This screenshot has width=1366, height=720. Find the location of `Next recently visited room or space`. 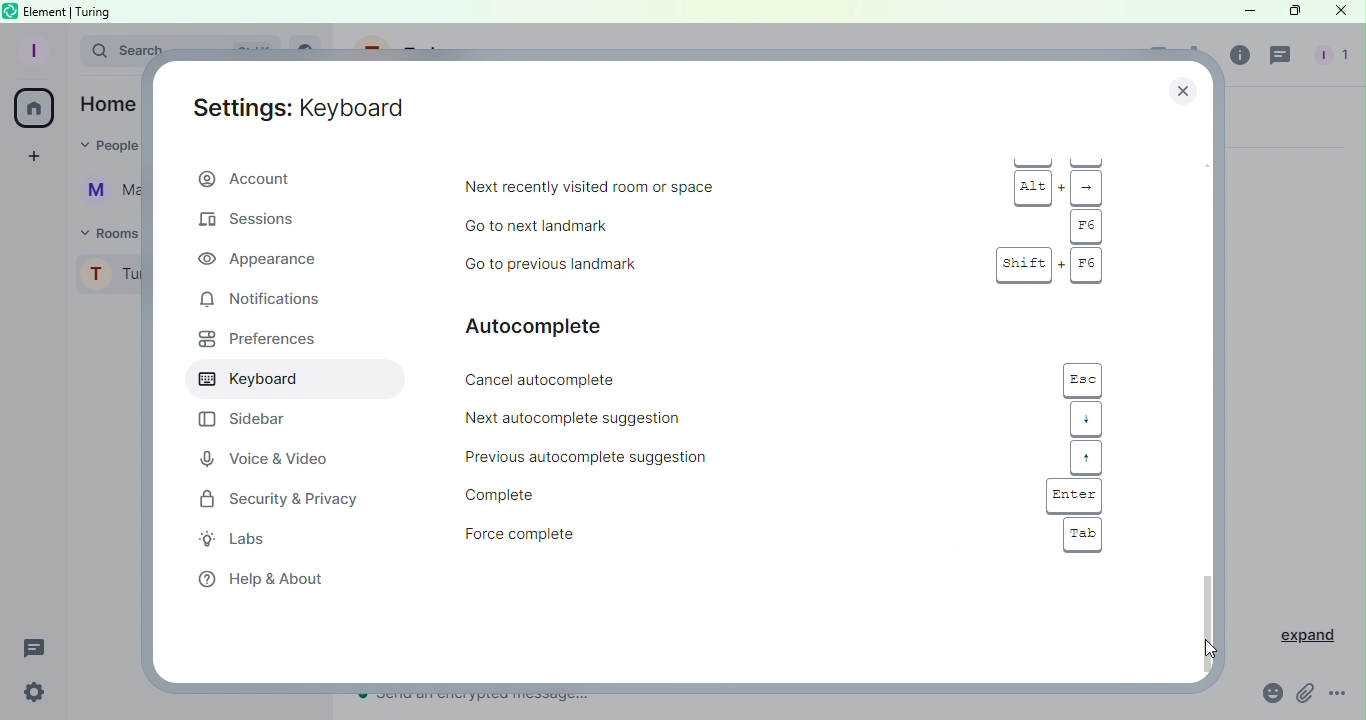

Next recently visited room or space is located at coordinates (692, 189).